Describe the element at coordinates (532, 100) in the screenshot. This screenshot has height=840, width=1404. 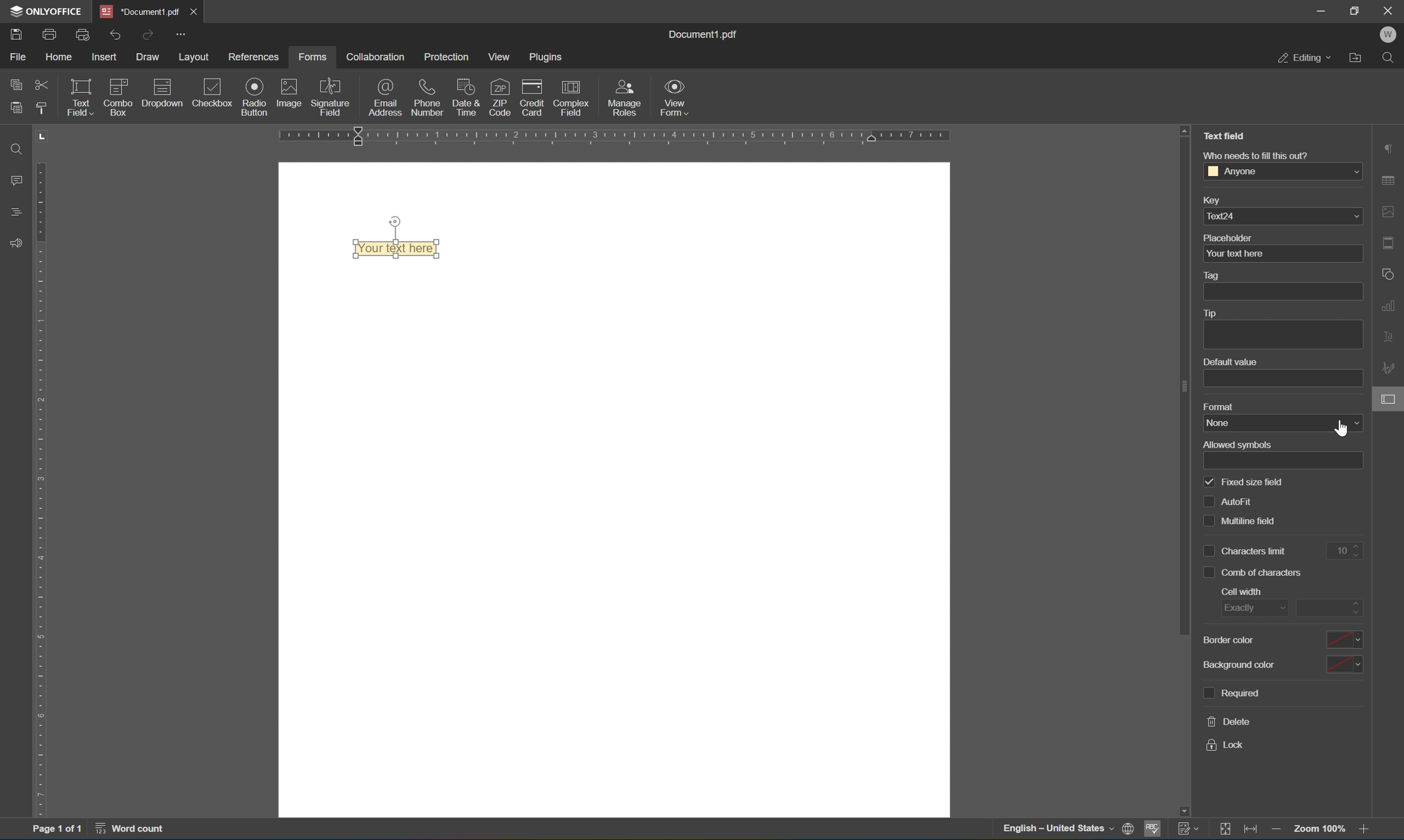
I see `credit card` at that location.